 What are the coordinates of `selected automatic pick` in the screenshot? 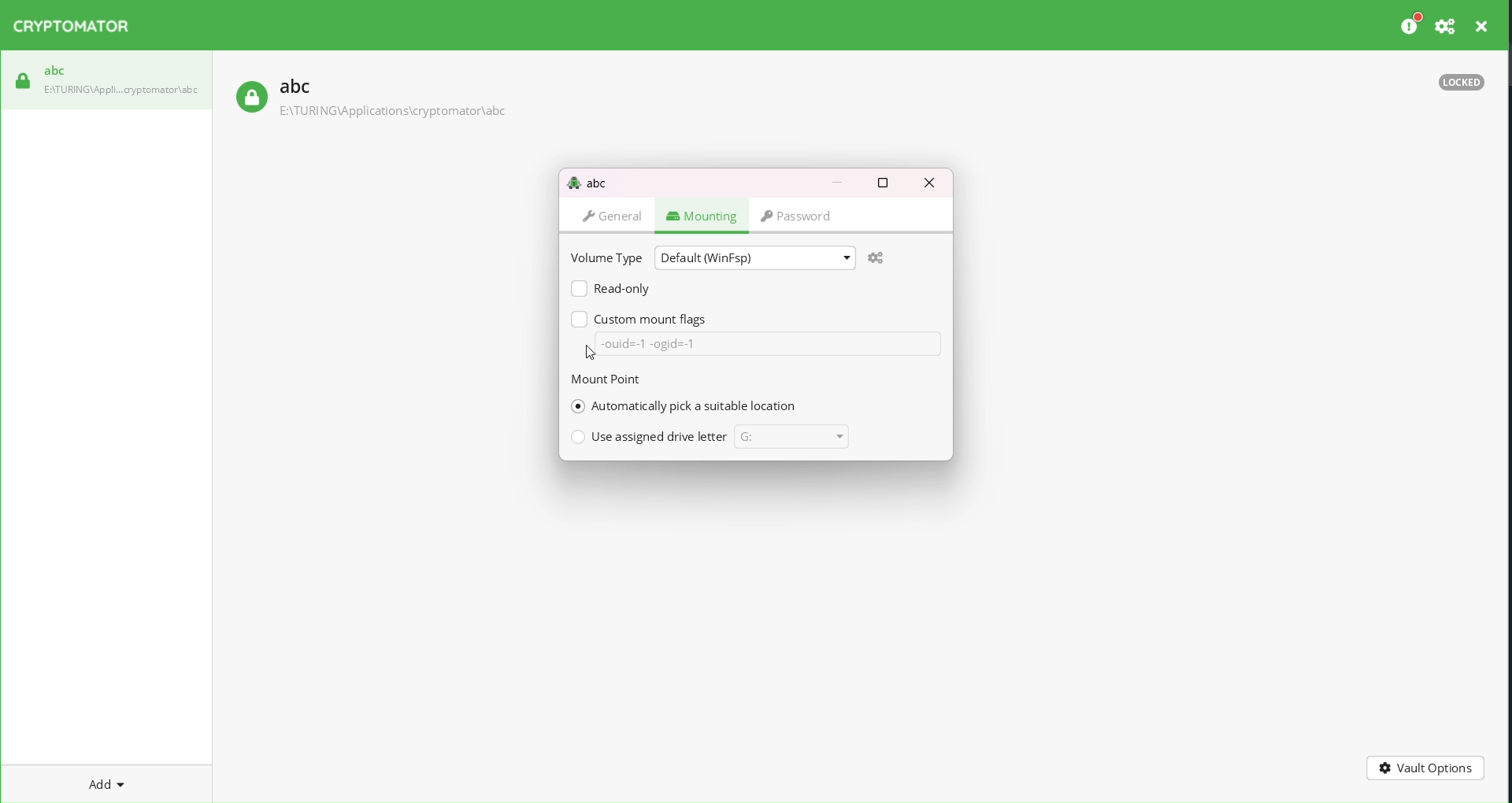 It's located at (685, 404).